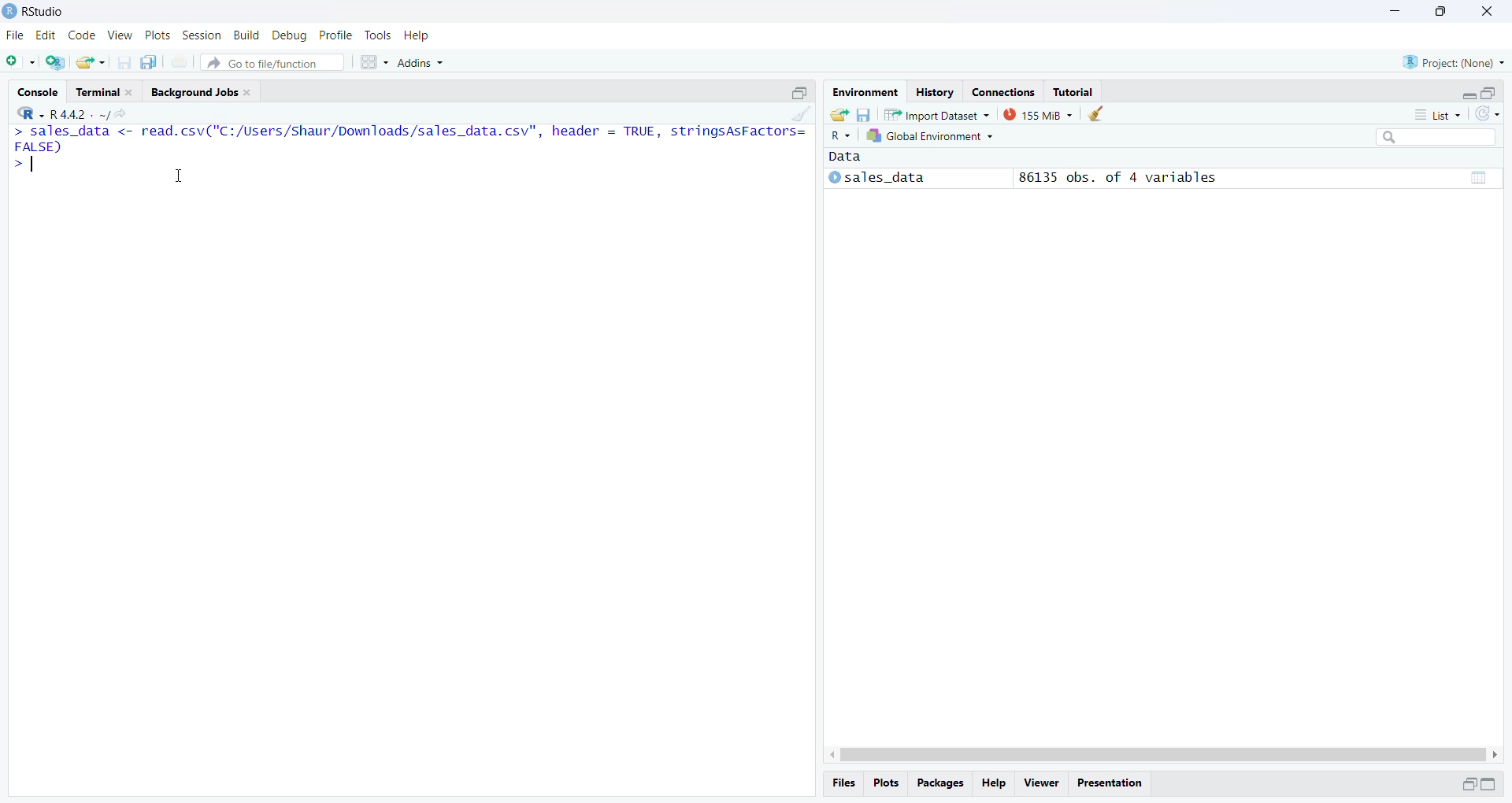 This screenshot has height=803, width=1512. Describe the element at coordinates (1466, 96) in the screenshot. I see `Expand/Collapse` at that location.